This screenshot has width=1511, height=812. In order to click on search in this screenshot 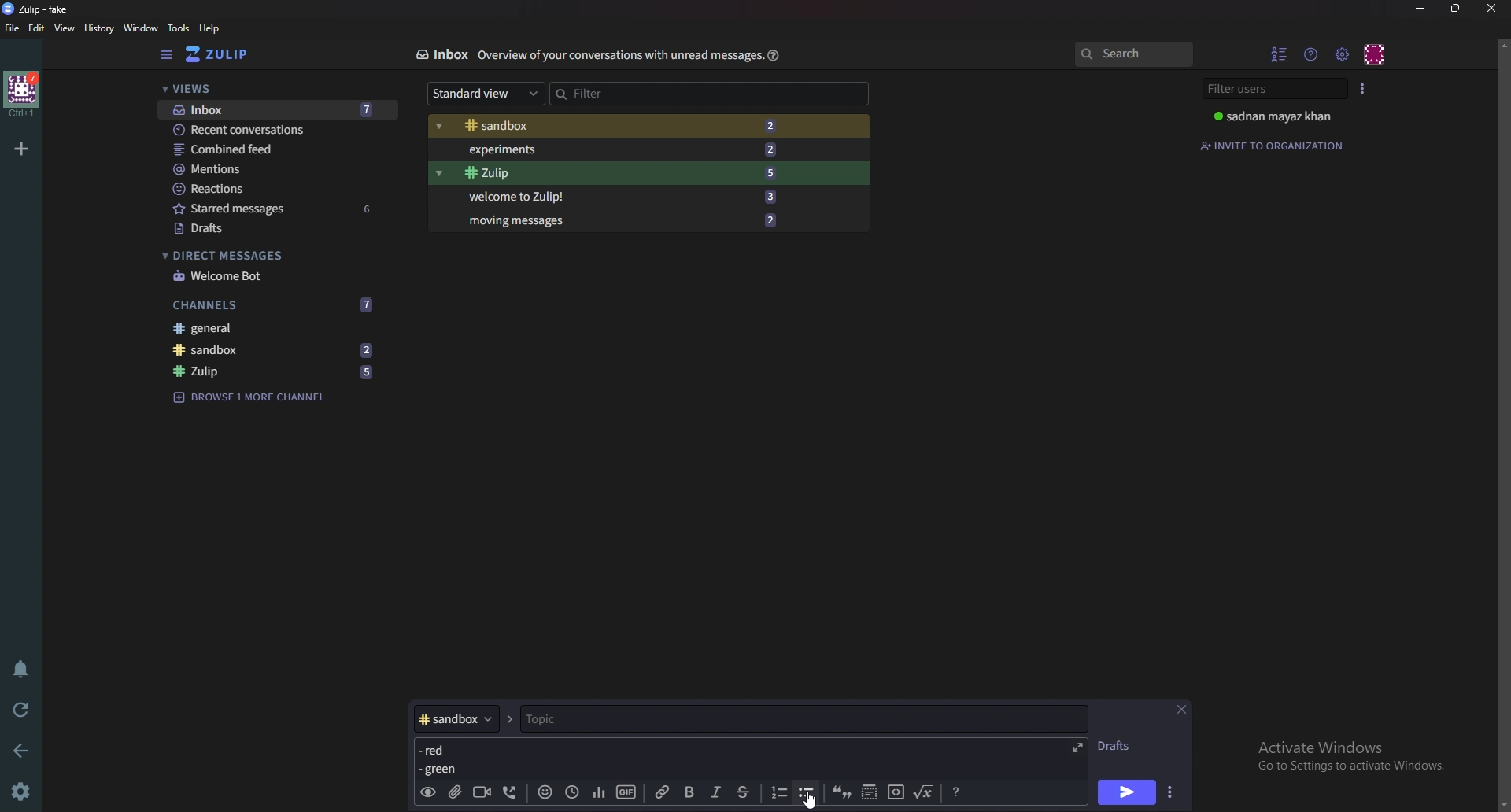, I will do `click(1132, 54)`.